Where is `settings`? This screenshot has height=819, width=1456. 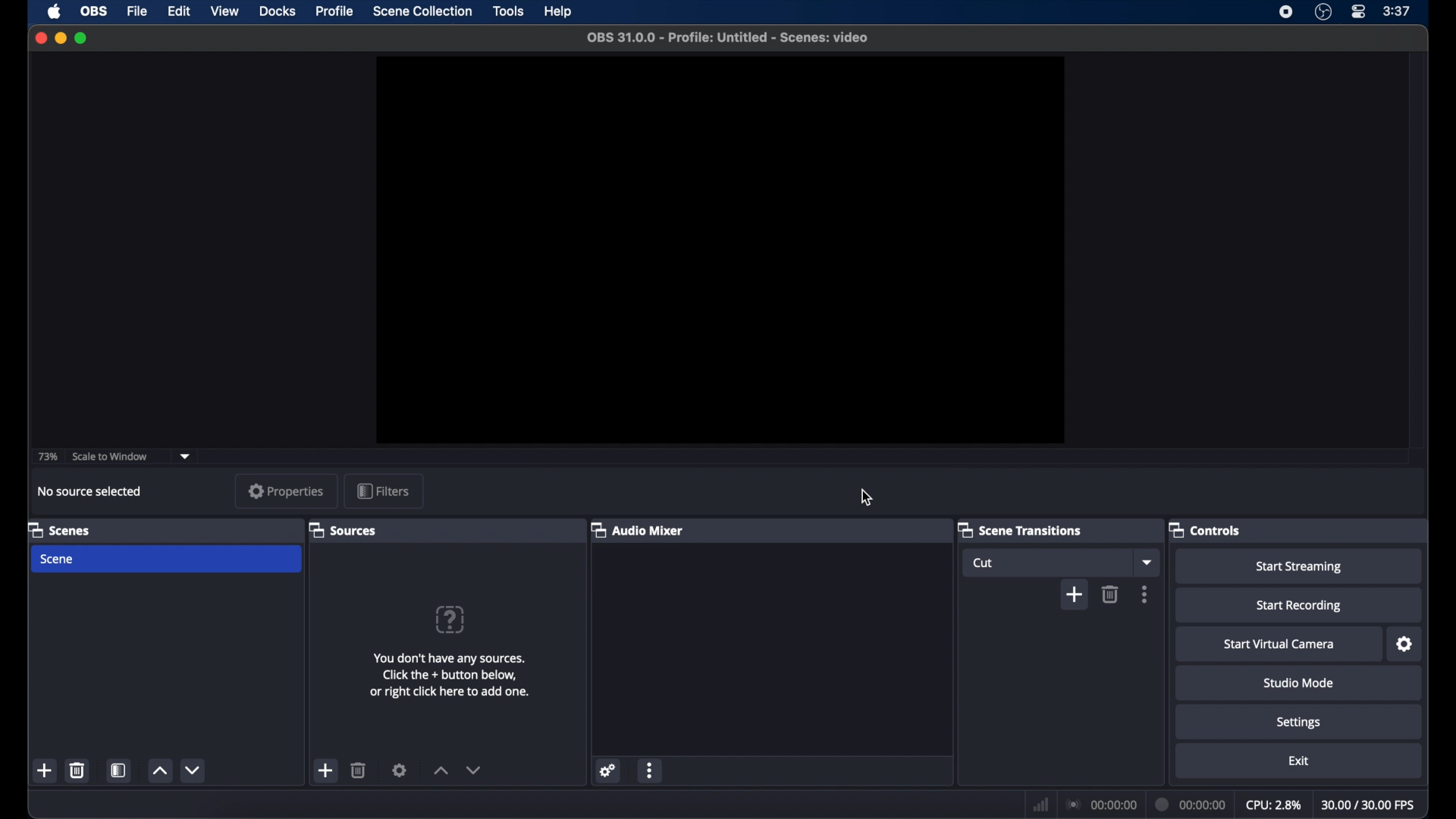
settings is located at coordinates (1298, 723).